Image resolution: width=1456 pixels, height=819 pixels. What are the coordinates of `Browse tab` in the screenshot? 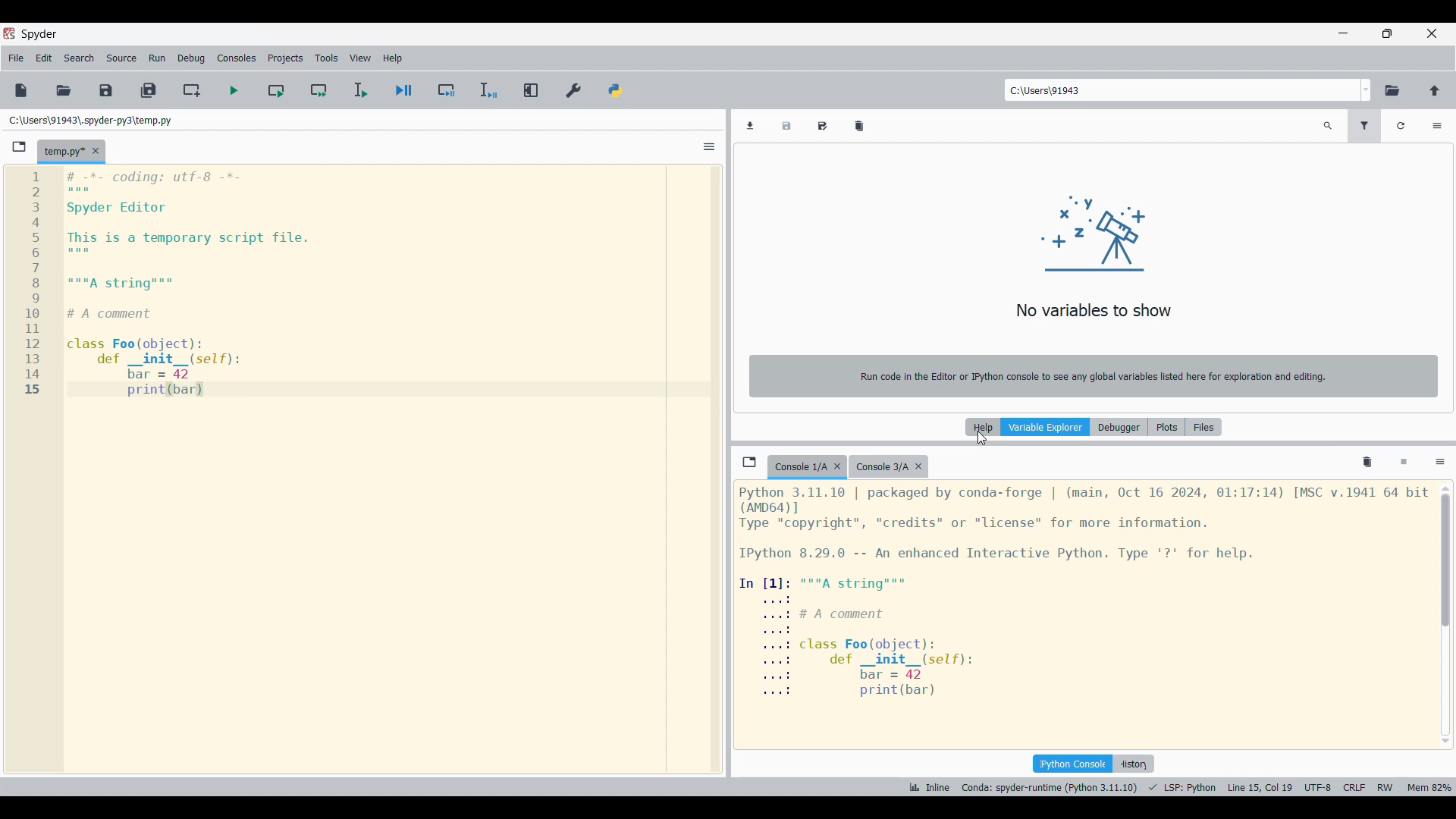 It's located at (750, 462).